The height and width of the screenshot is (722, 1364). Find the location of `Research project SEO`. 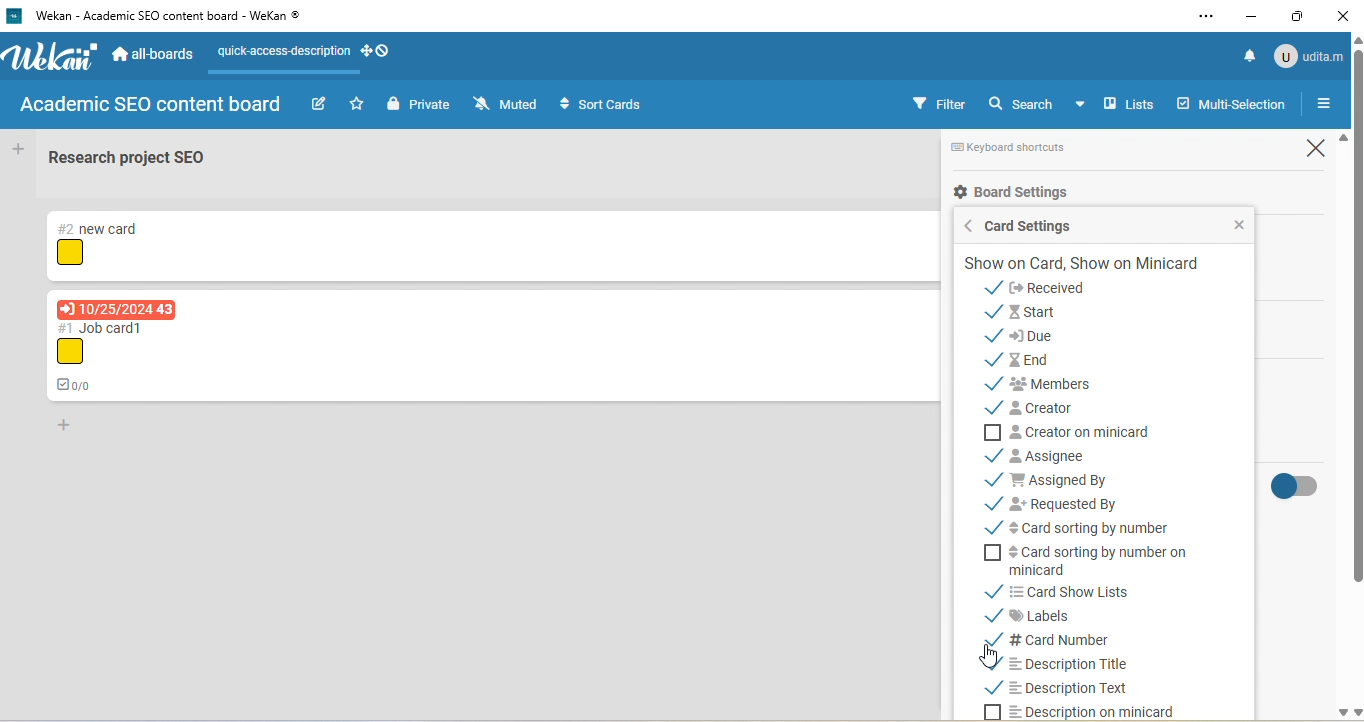

Research project SEO is located at coordinates (129, 157).